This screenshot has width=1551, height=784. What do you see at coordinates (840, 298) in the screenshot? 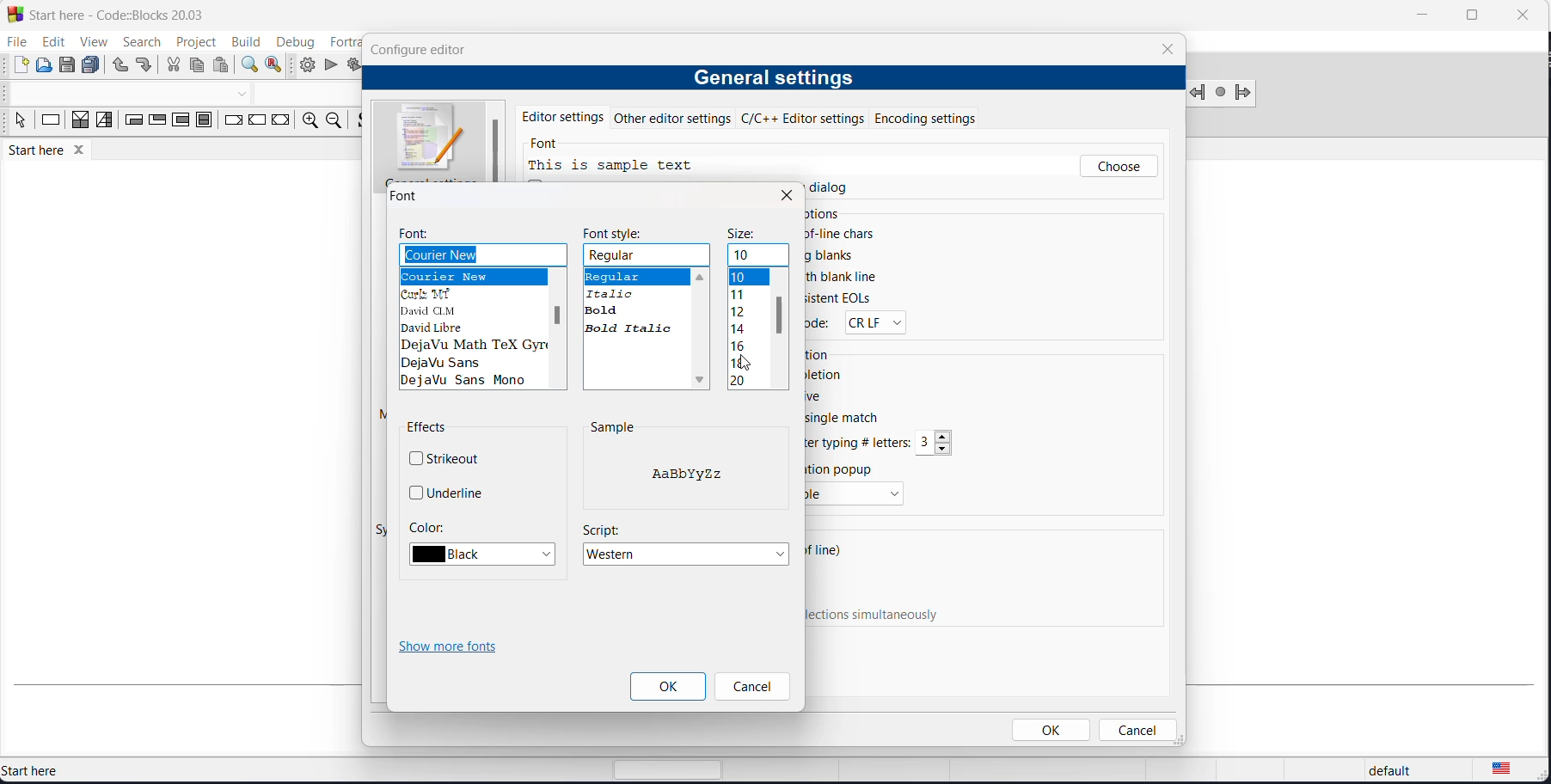
I see `EDFs` at bounding box center [840, 298].